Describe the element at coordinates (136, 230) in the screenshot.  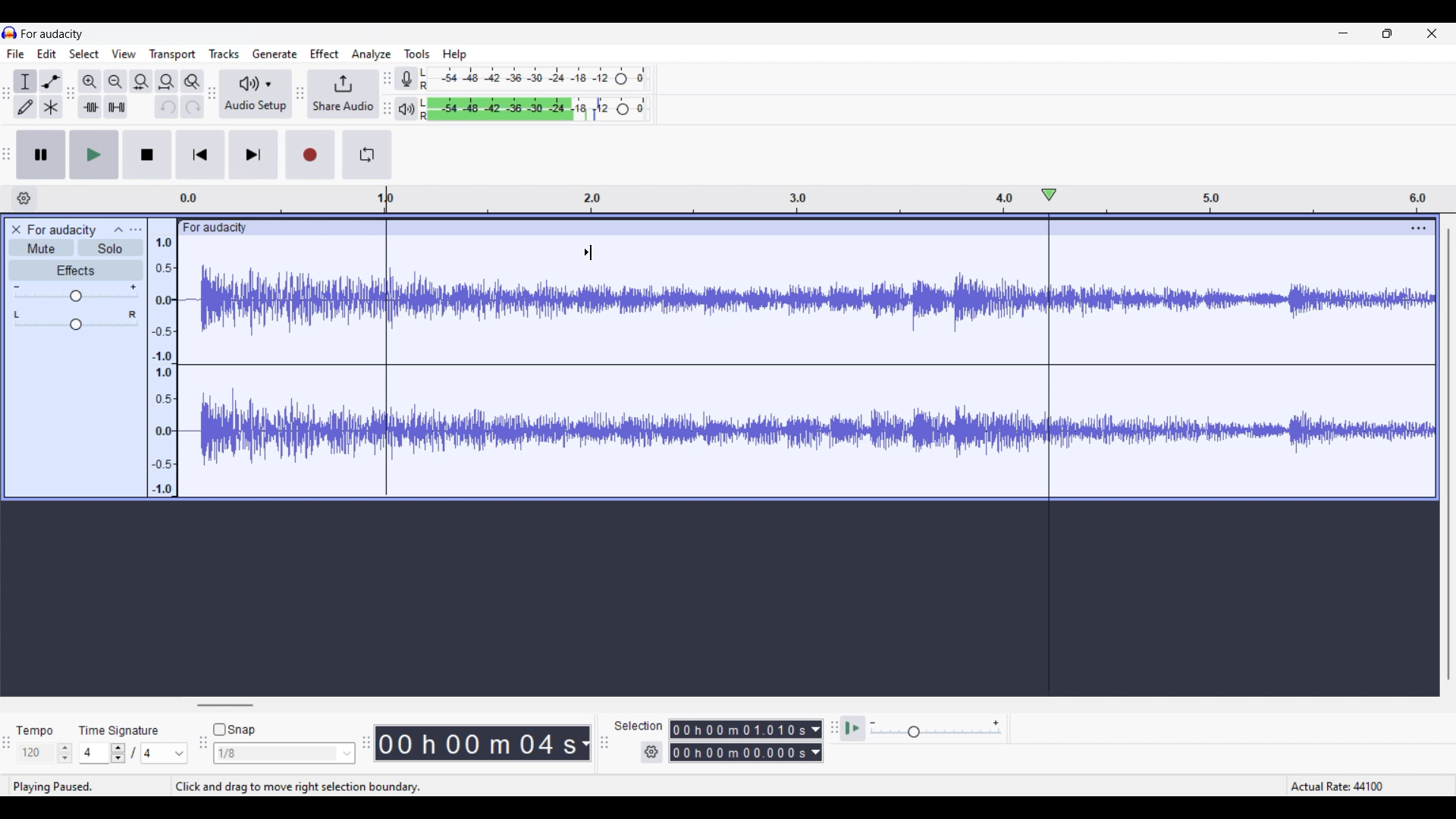
I see `Open menu` at that location.